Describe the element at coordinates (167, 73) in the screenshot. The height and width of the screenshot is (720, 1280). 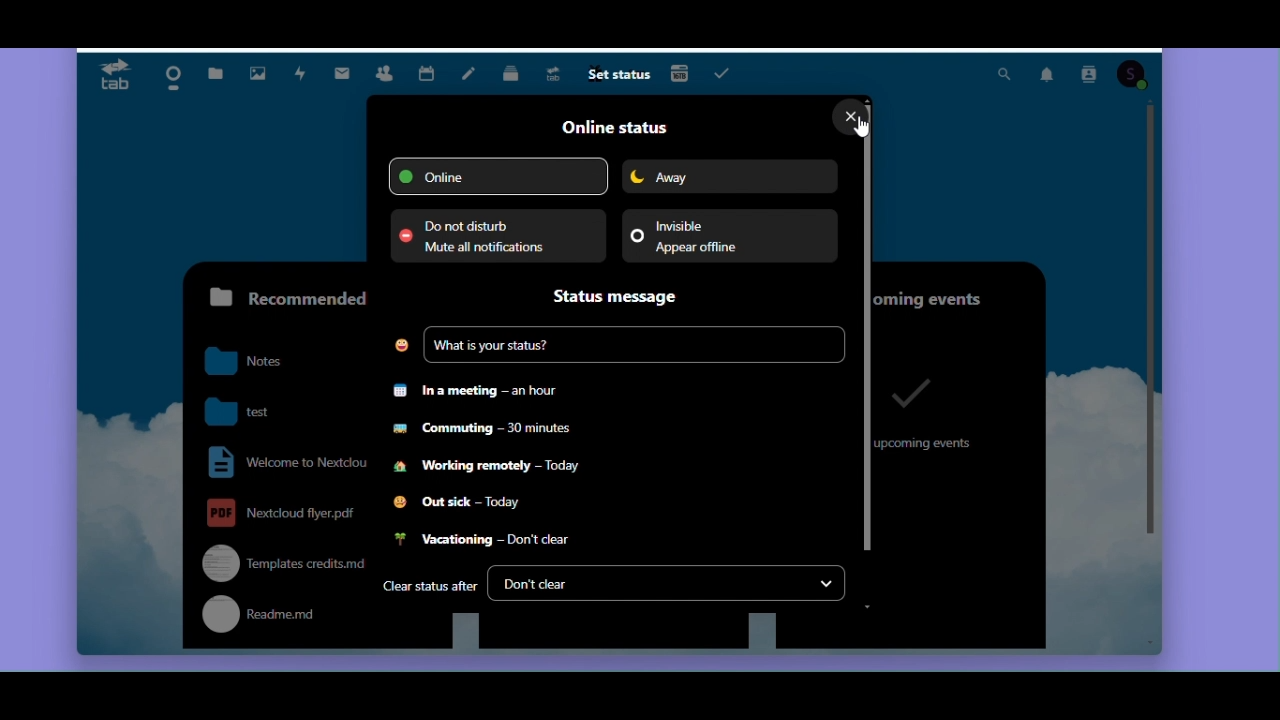
I see `Dashboard` at that location.